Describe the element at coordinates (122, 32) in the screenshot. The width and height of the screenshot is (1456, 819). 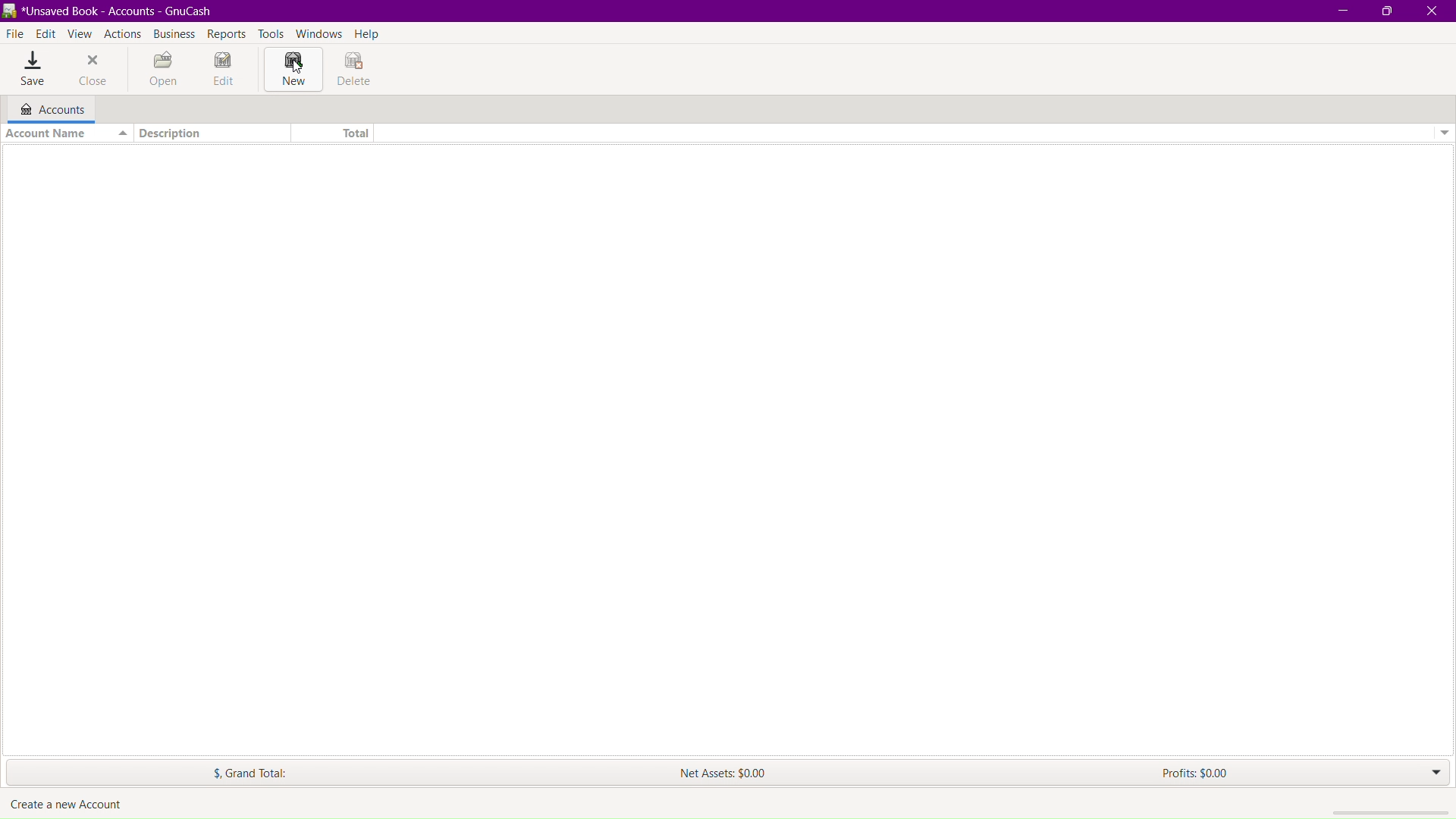
I see `Actions` at that location.